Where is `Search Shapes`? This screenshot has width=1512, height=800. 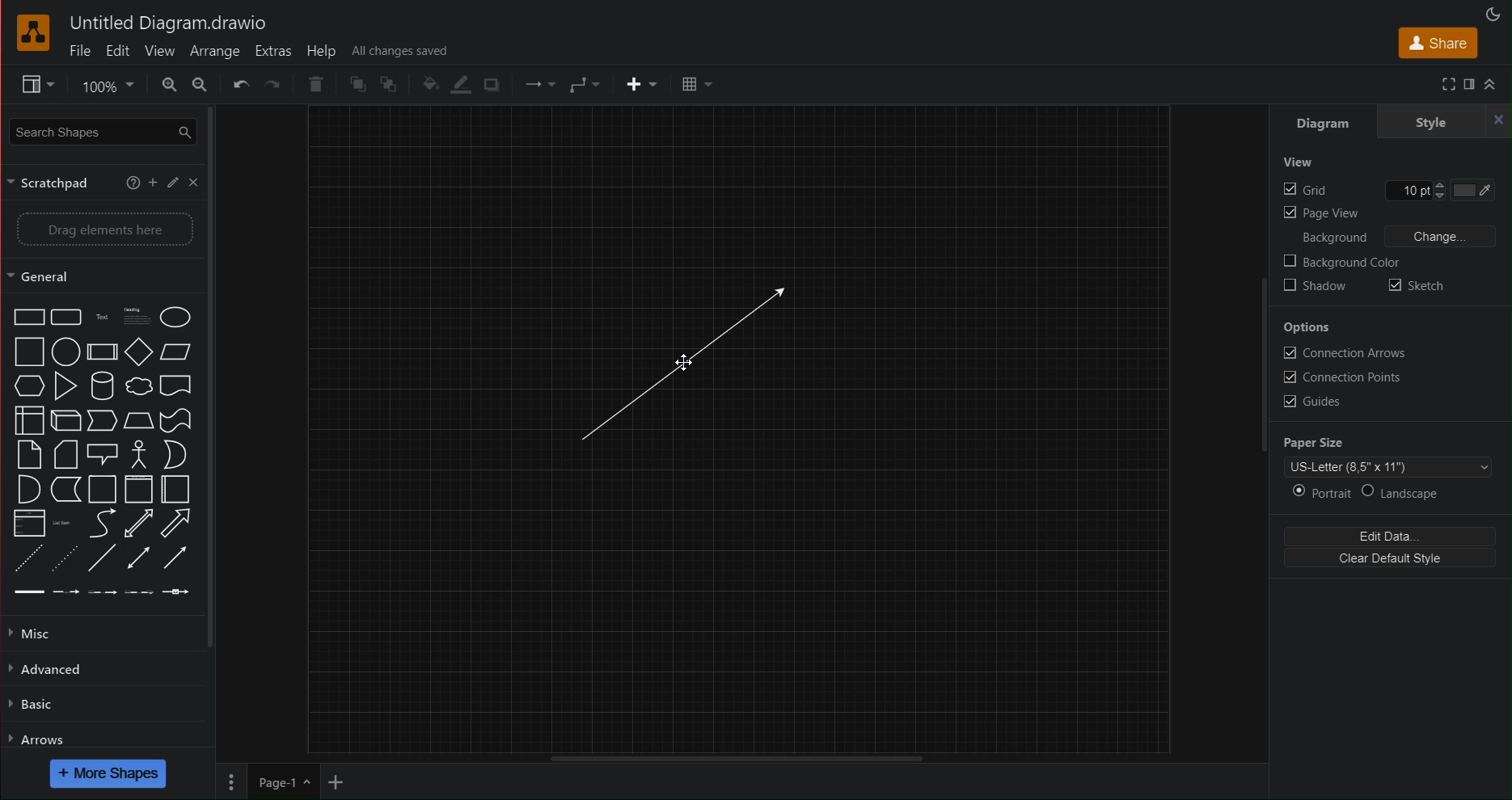 Search Shapes is located at coordinates (99, 130).